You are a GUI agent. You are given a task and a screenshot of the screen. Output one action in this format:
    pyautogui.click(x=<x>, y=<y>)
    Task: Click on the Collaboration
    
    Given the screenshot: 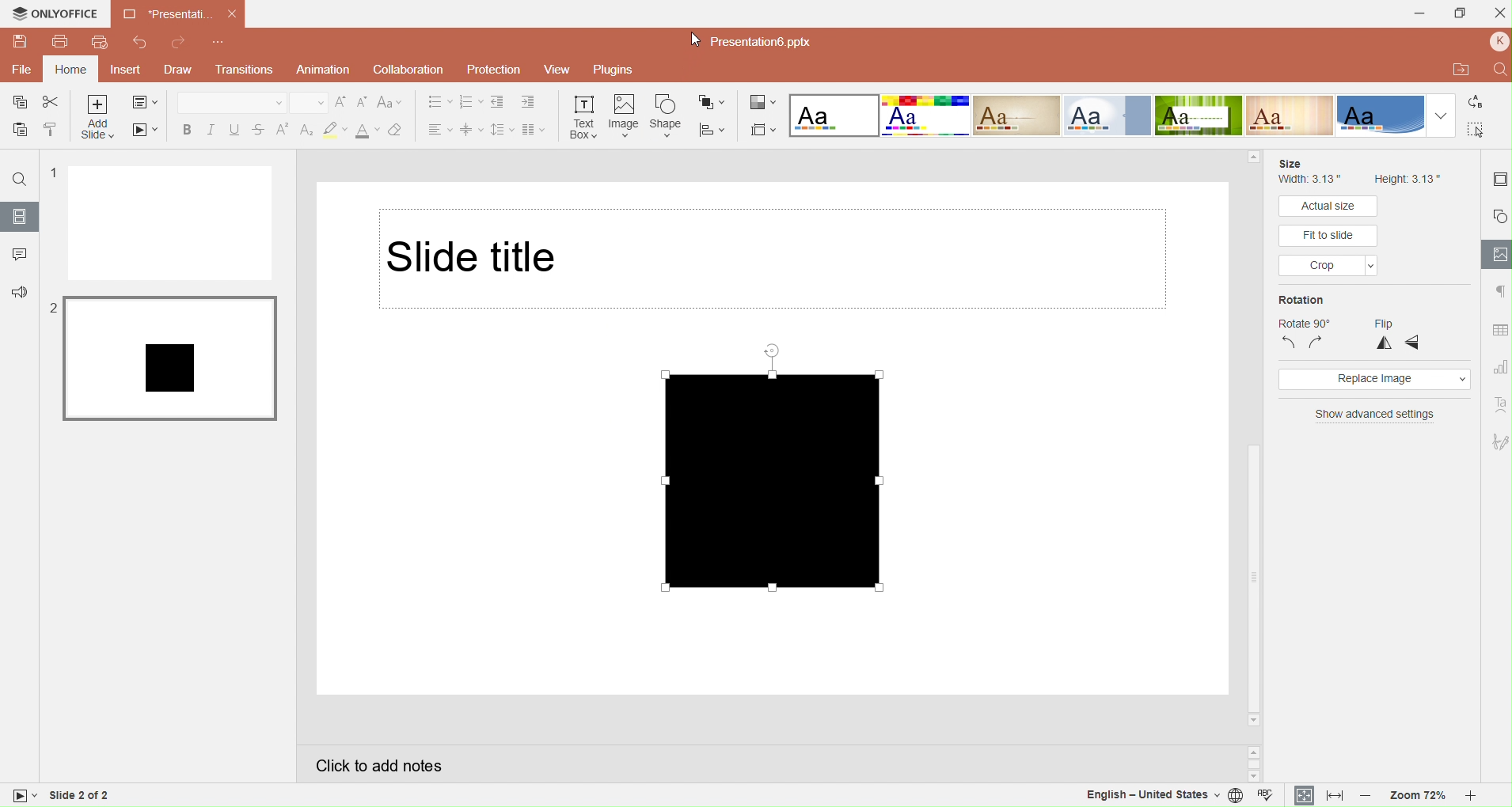 What is the action you would take?
    pyautogui.click(x=409, y=70)
    